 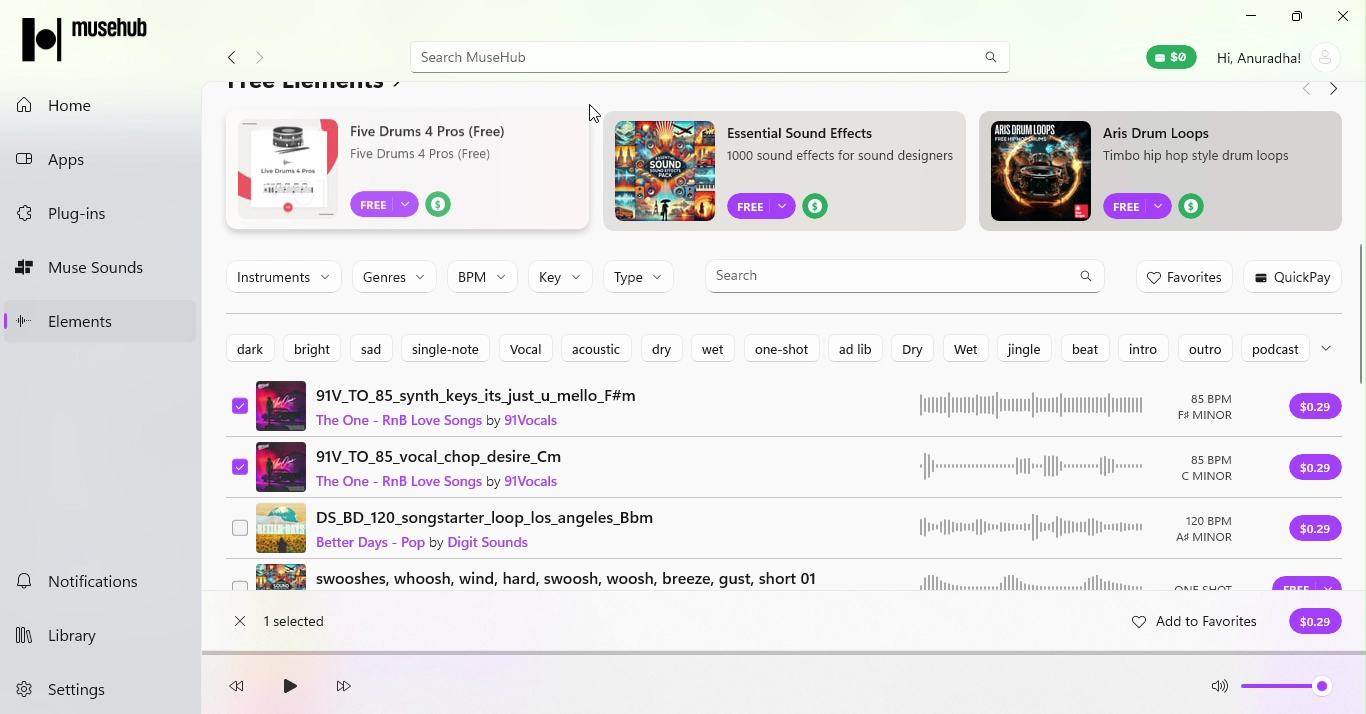 I want to click on Sad, so click(x=375, y=346).